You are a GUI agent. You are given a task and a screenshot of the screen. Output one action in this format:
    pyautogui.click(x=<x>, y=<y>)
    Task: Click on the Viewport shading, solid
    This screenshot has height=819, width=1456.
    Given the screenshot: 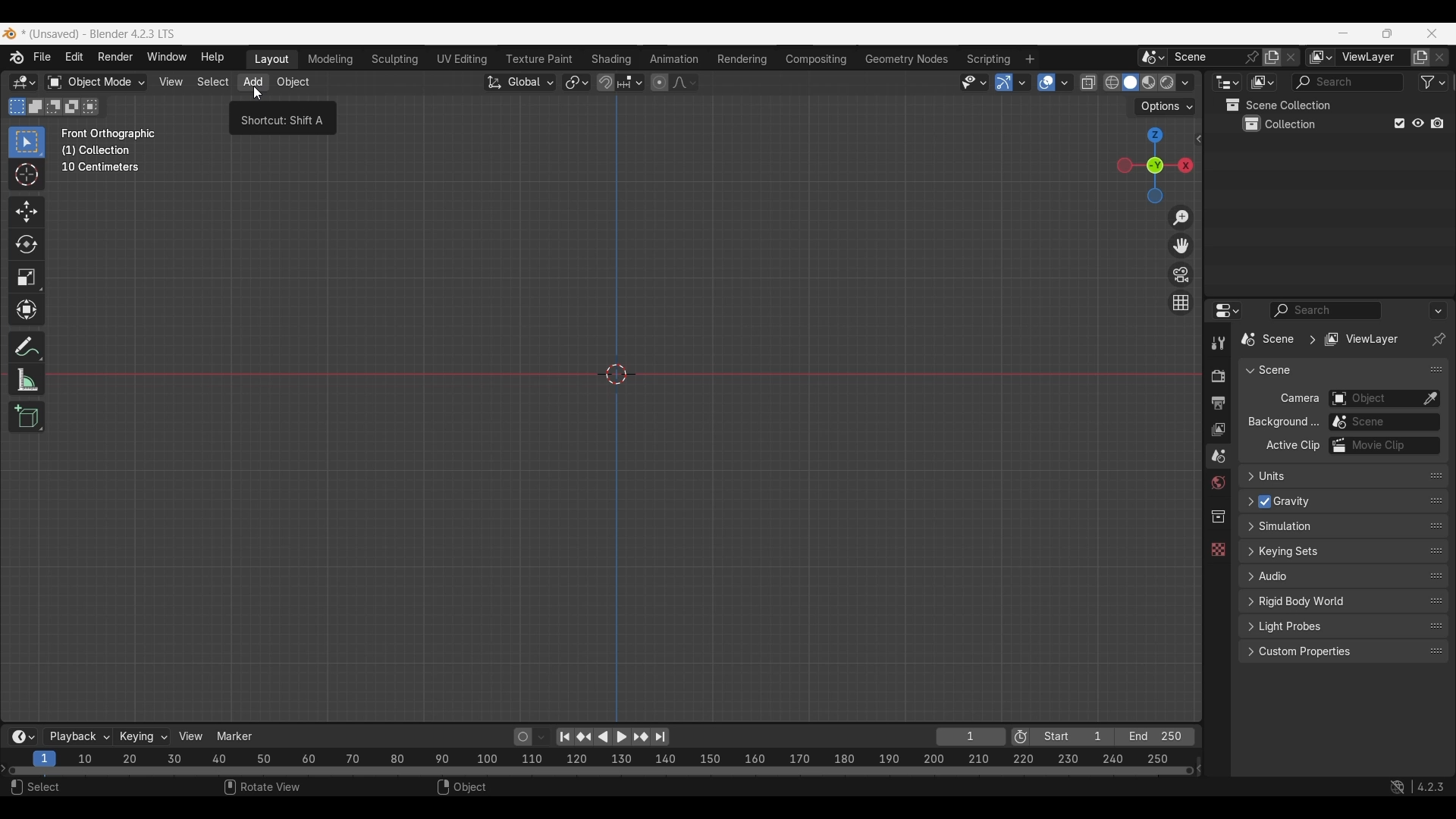 What is the action you would take?
    pyautogui.click(x=1130, y=83)
    